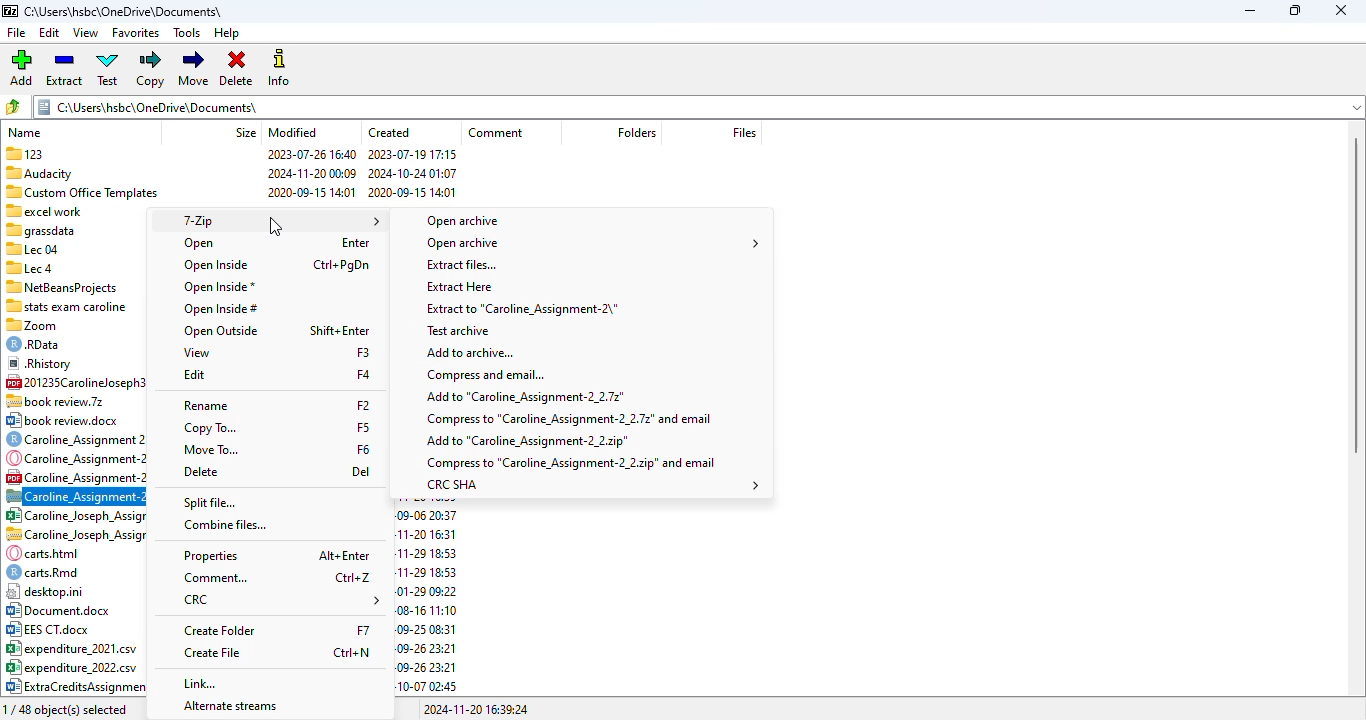 The width and height of the screenshot is (1366, 720). What do you see at coordinates (593, 244) in the screenshot?
I see `open archive` at bounding box center [593, 244].